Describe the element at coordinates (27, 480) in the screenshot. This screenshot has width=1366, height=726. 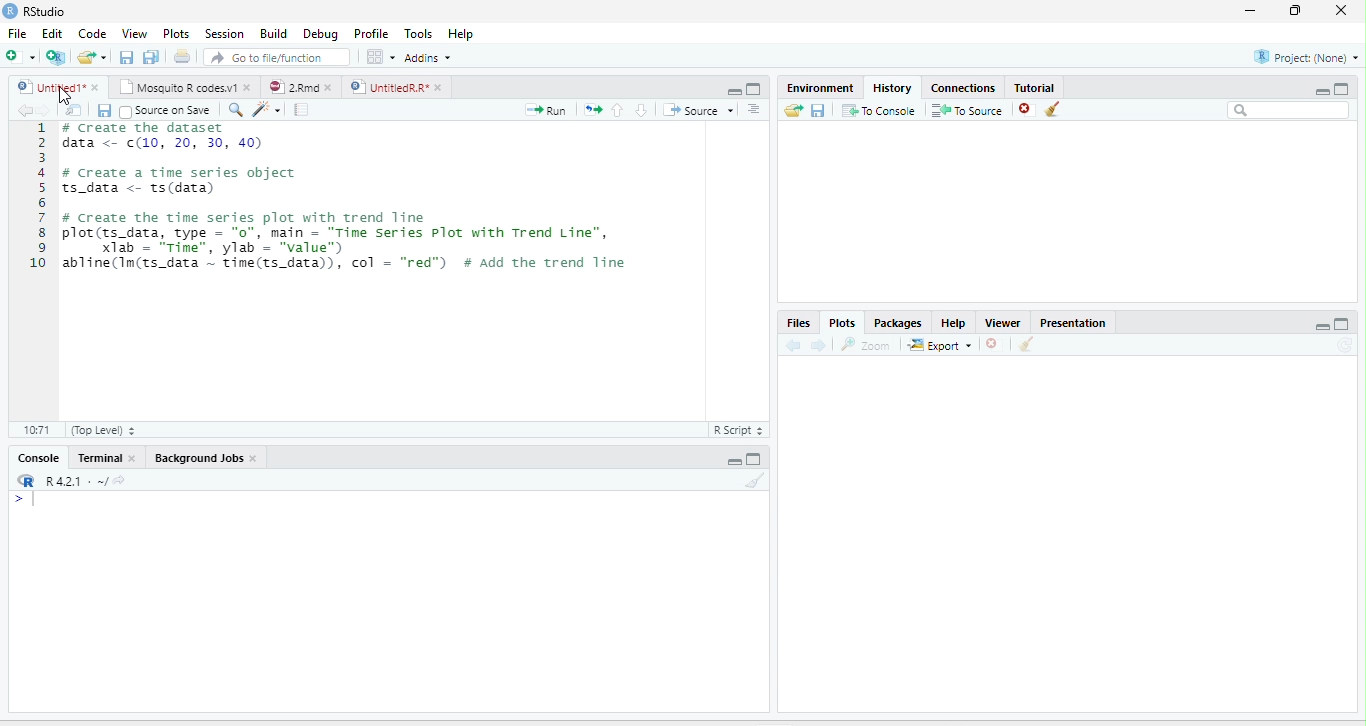
I see `R` at that location.